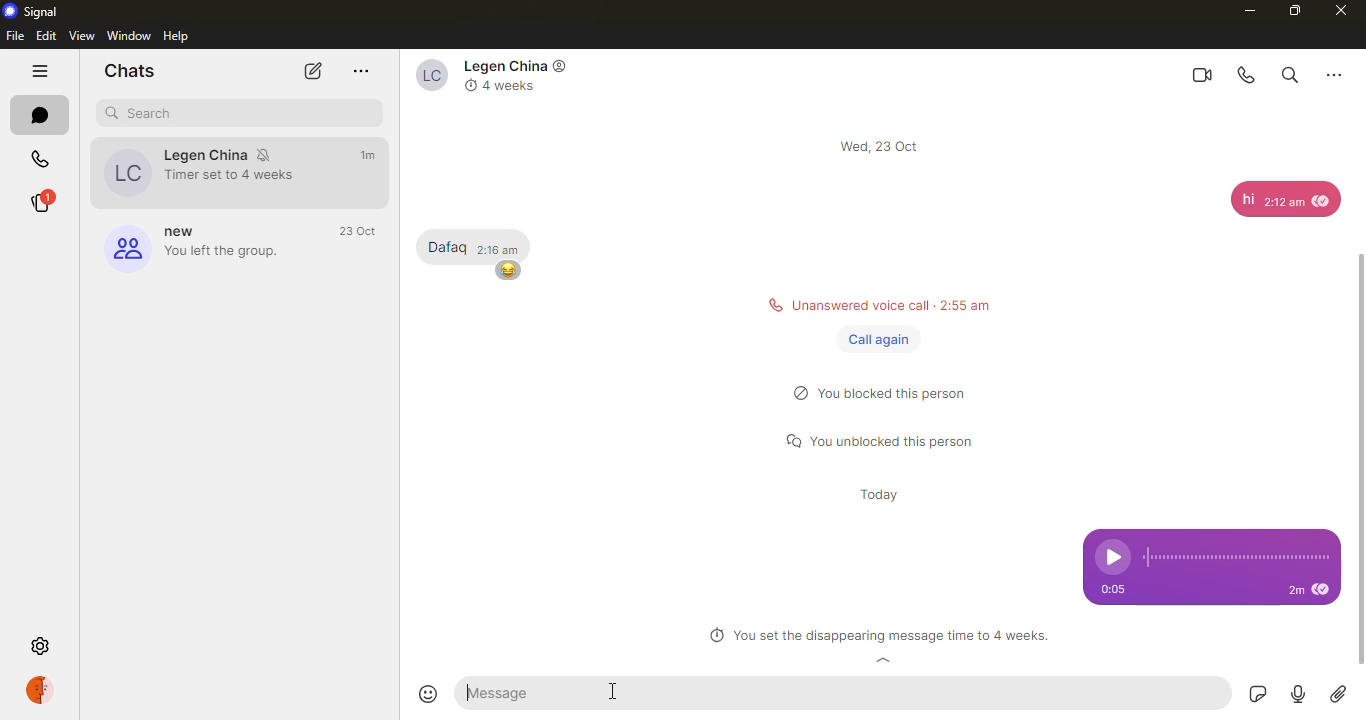  I want to click on Legen China LC  Timer set to 4 weeks, so click(194, 172).